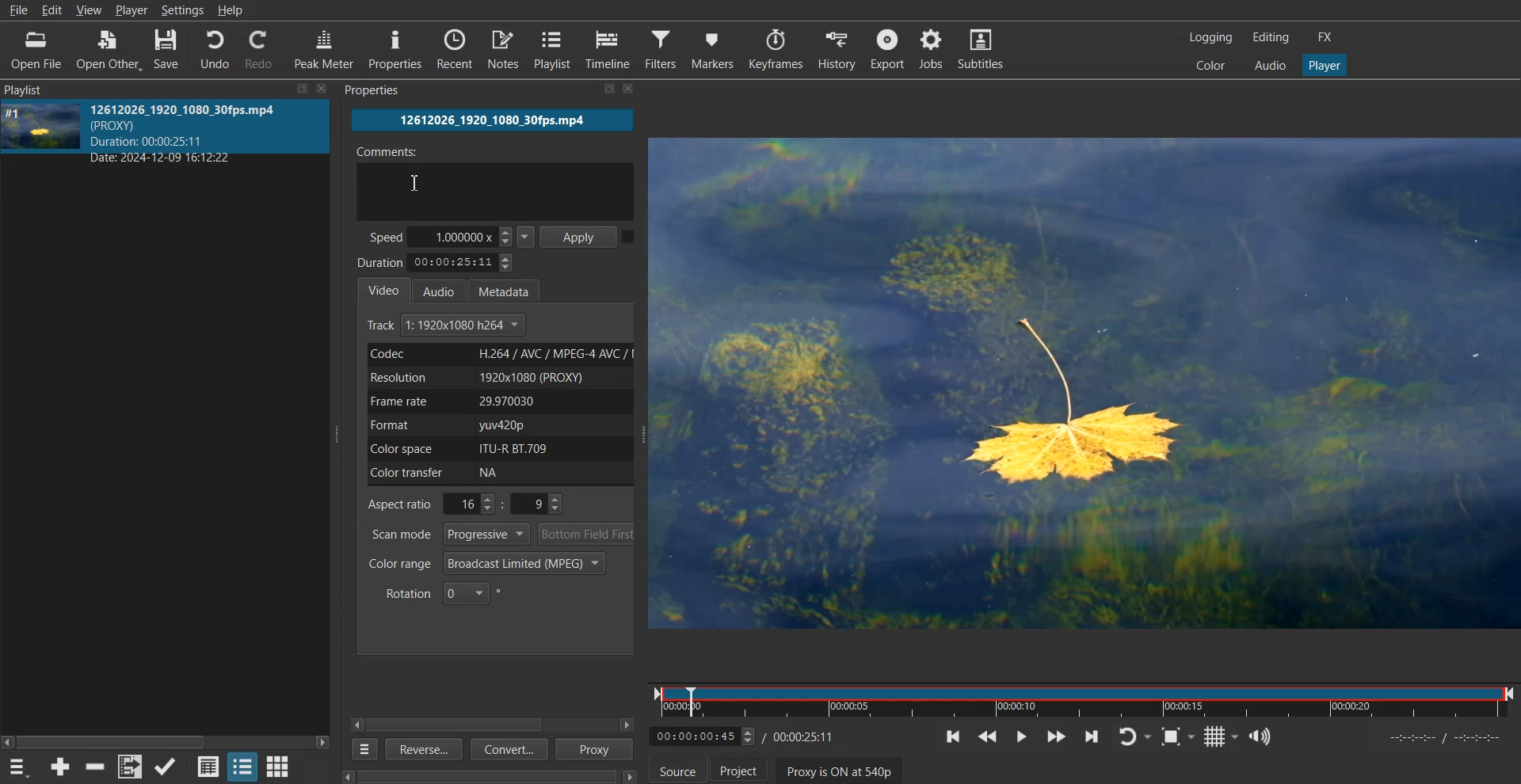 This screenshot has width=1521, height=784. I want to click on Color Space, so click(496, 448).